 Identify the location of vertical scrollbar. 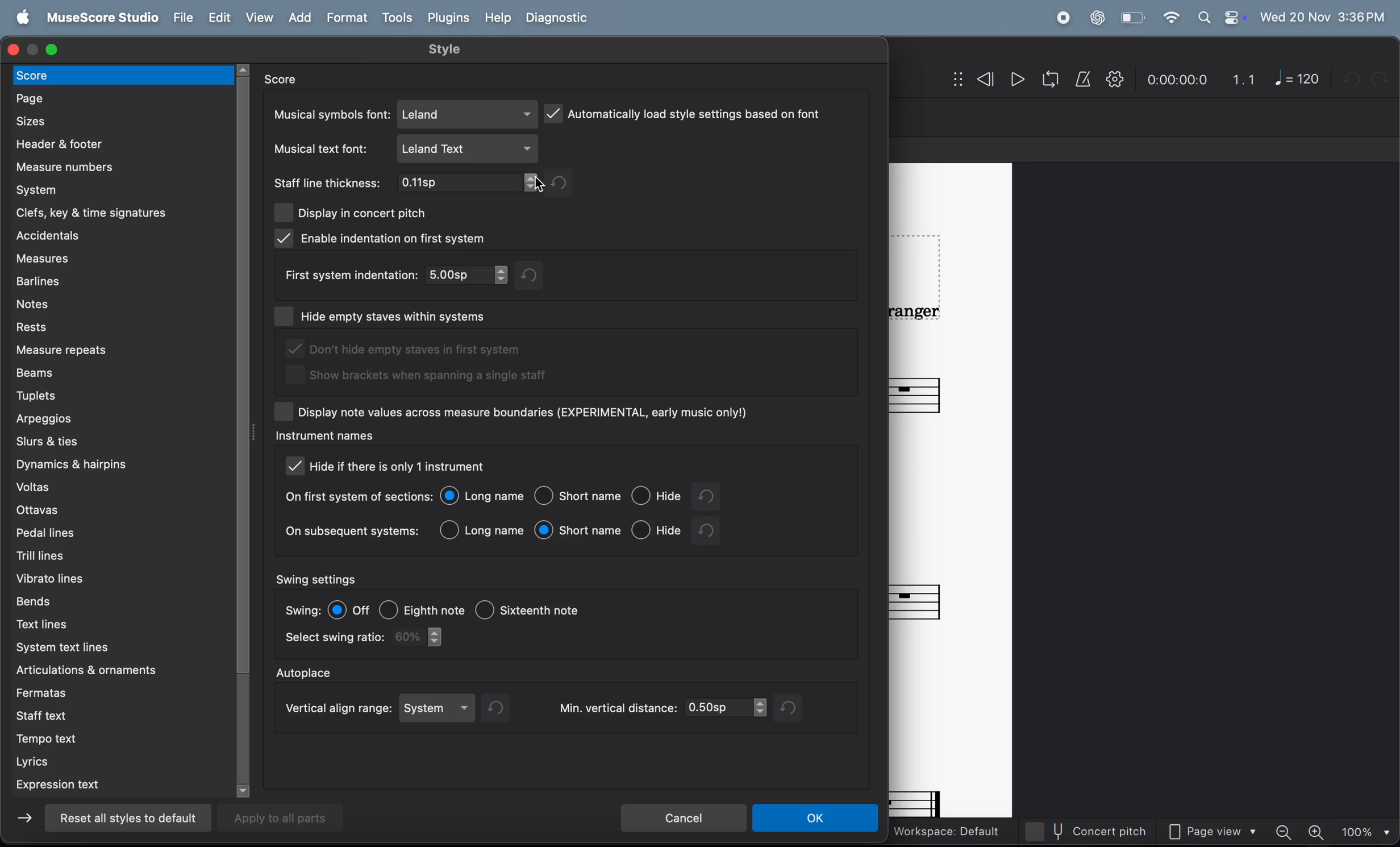
(247, 429).